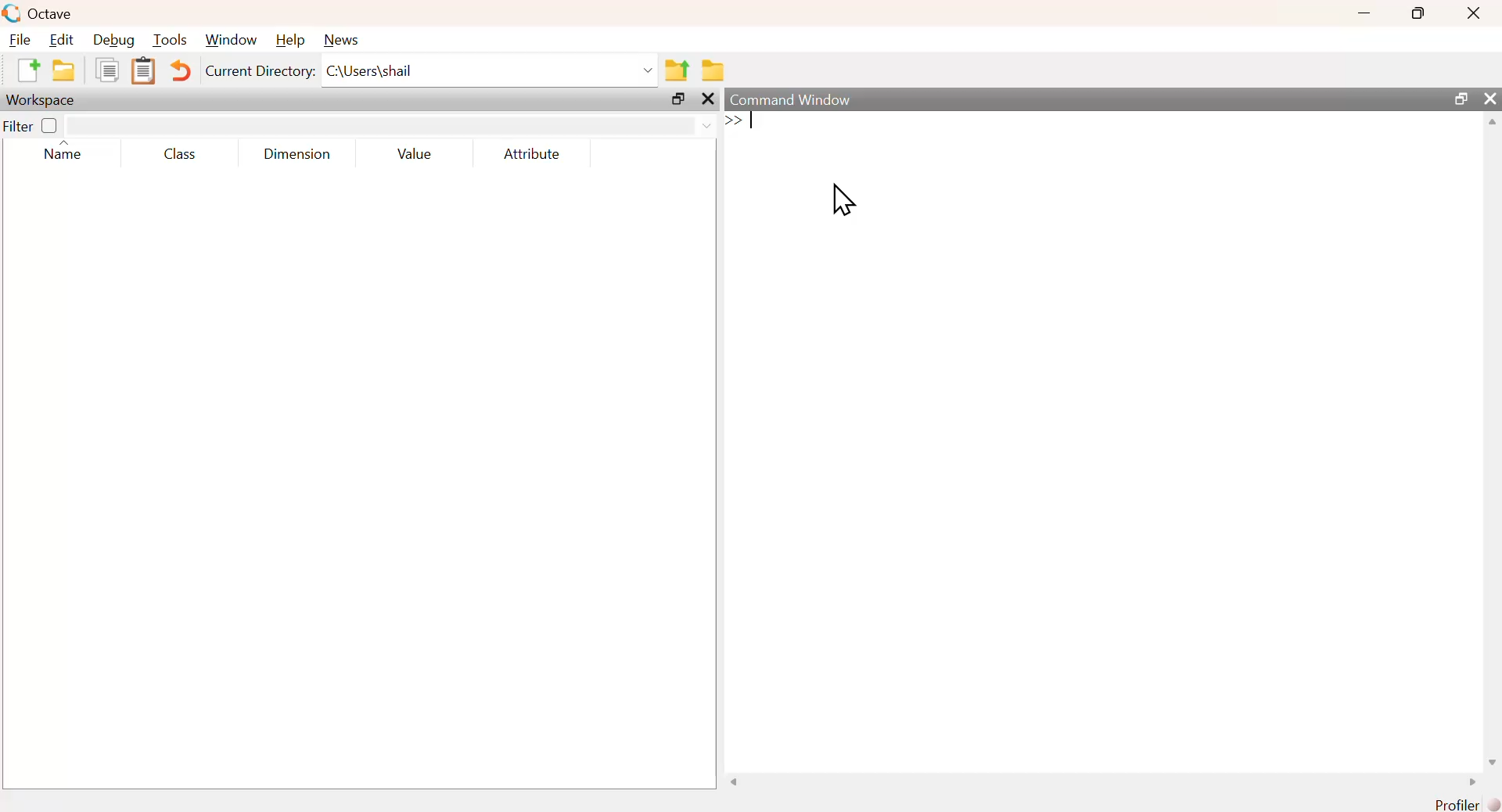 The image size is (1502, 812). I want to click on maximize, so click(679, 99).